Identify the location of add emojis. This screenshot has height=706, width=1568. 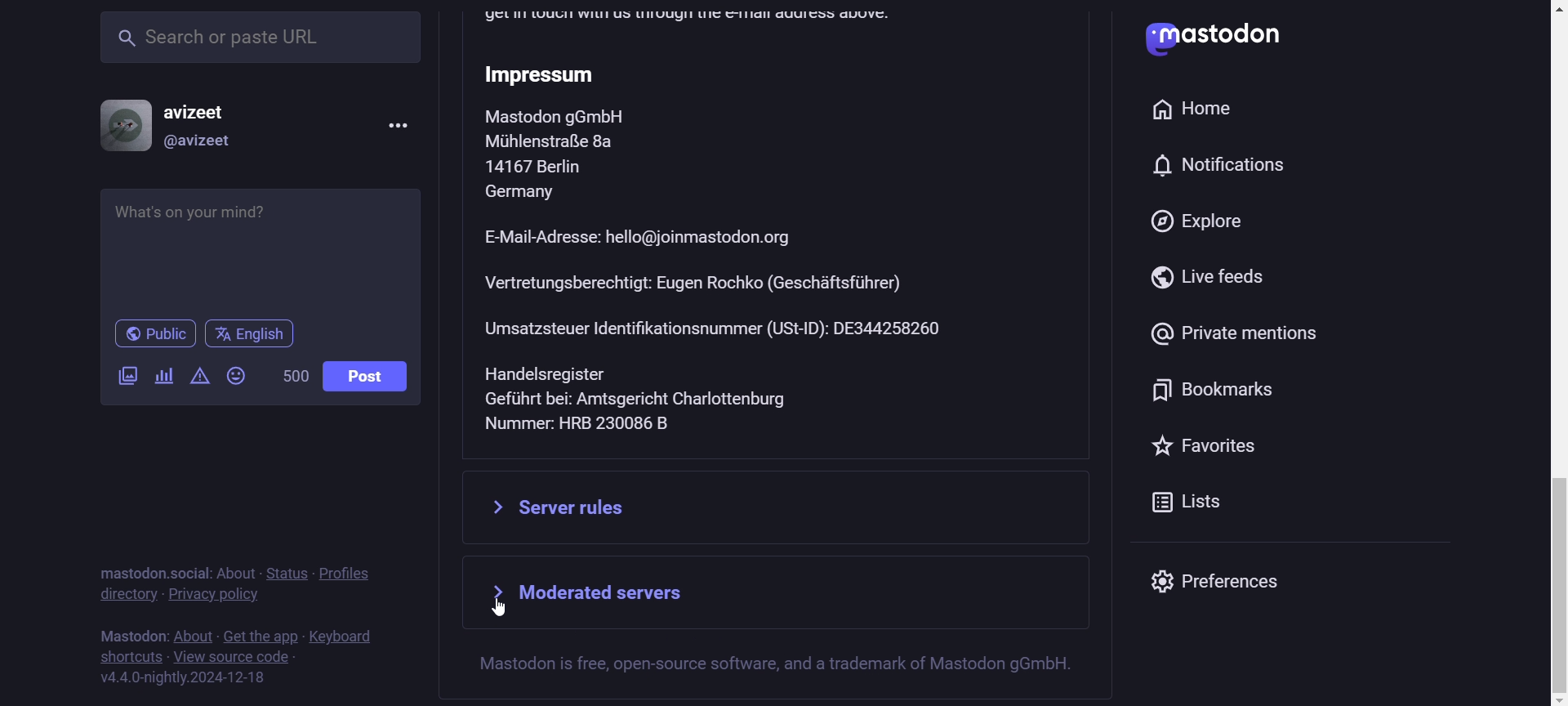
(240, 375).